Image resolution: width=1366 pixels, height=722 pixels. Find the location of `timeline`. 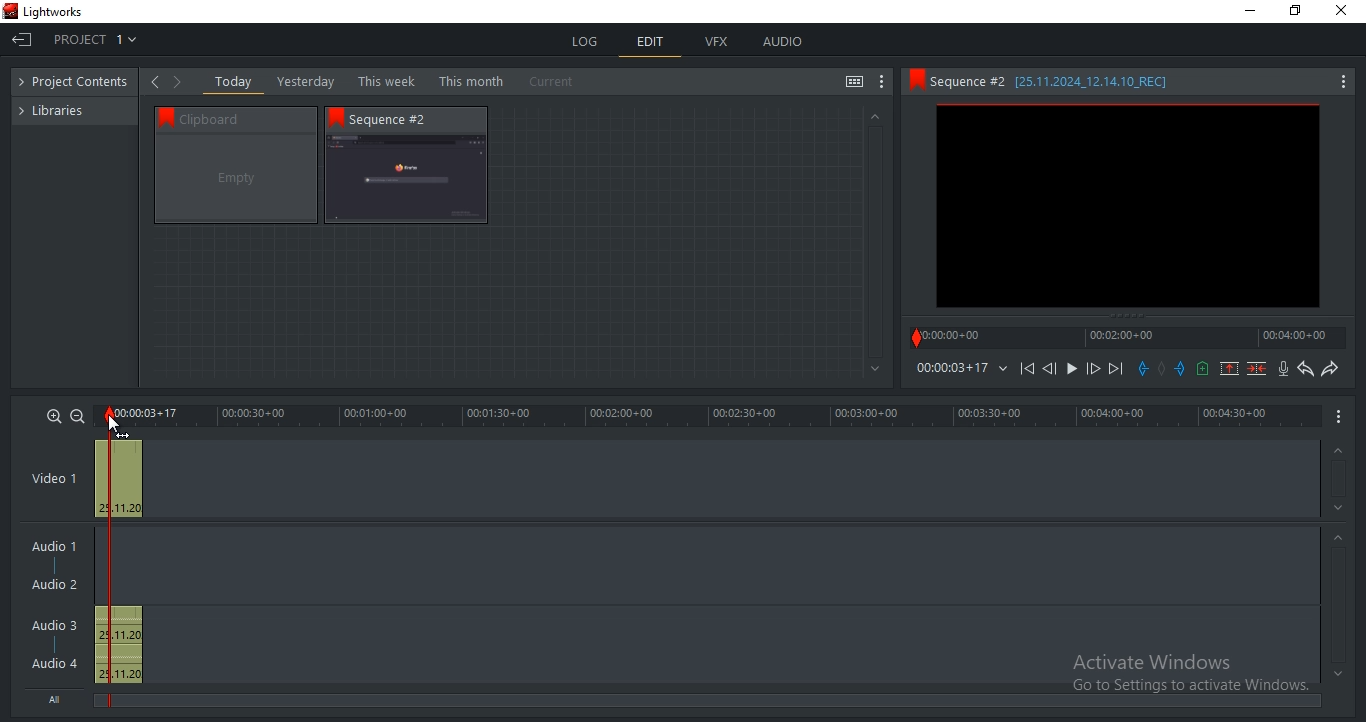

timeline is located at coordinates (710, 416).